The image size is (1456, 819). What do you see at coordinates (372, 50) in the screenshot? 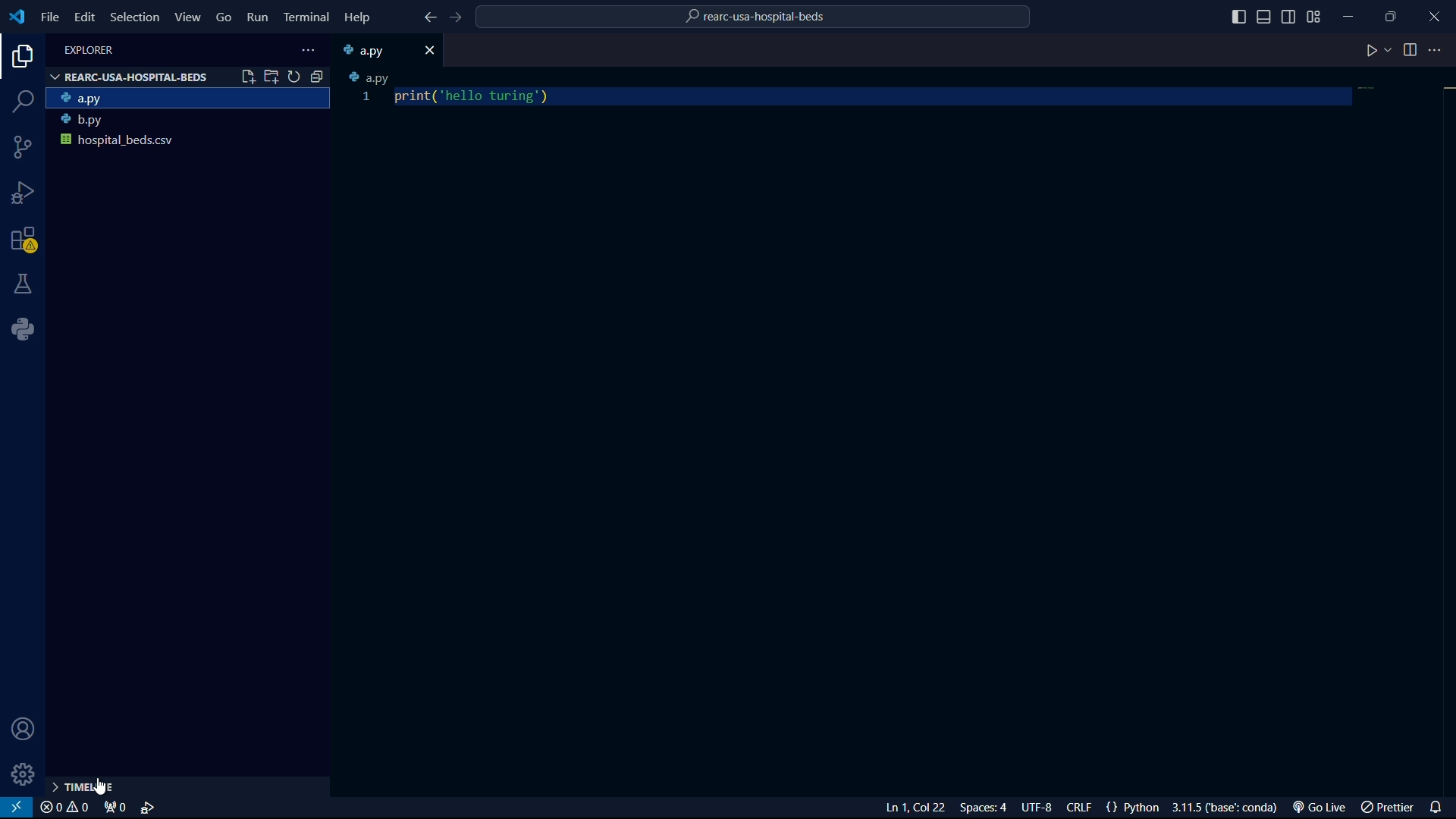
I see `a.py` at bounding box center [372, 50].